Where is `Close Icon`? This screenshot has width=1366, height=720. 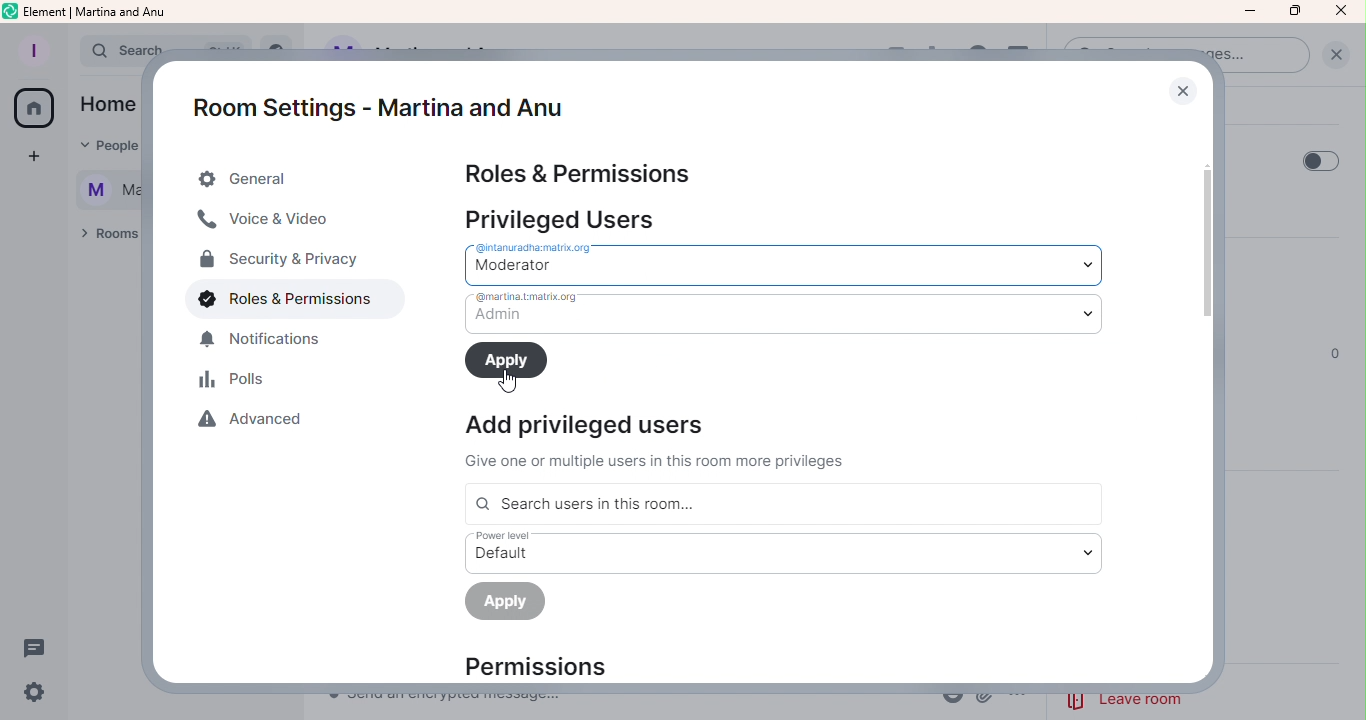 Close Icon is located at coordinates (1342, 12).